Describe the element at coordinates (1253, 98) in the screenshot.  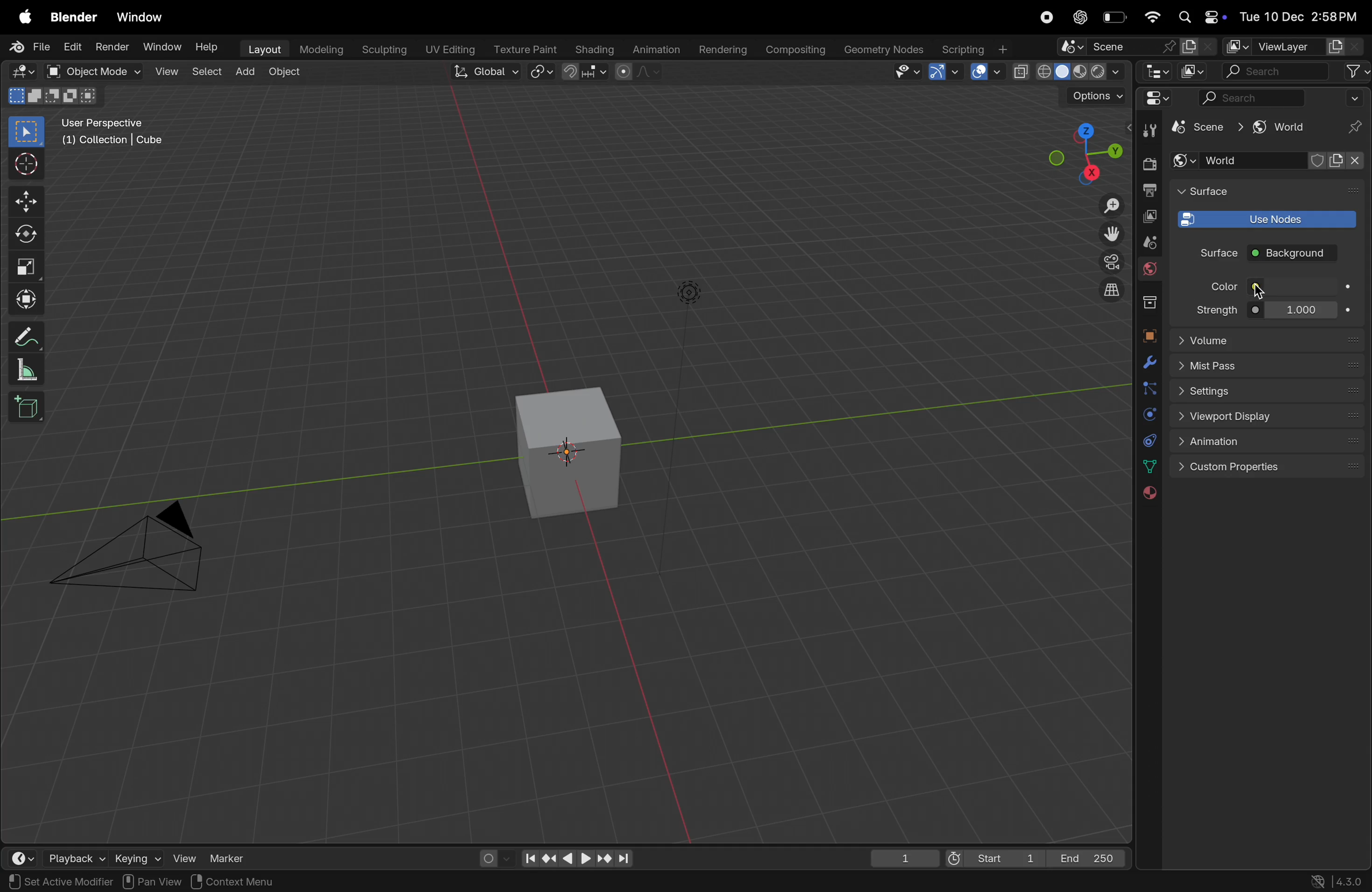
I see `search` at that location.